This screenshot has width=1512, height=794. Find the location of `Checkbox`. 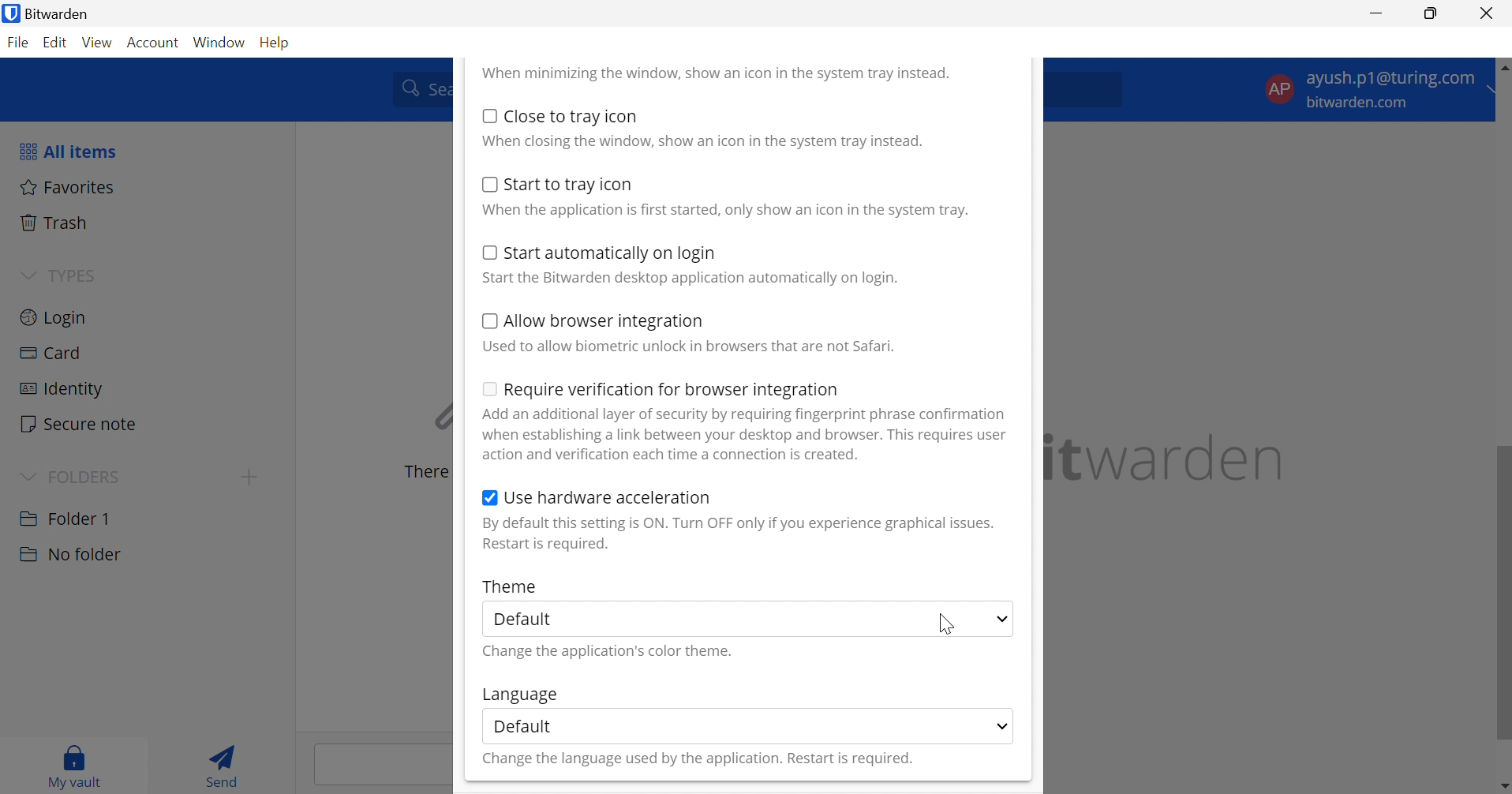

Checkbox is located at coordinates (488, 321).